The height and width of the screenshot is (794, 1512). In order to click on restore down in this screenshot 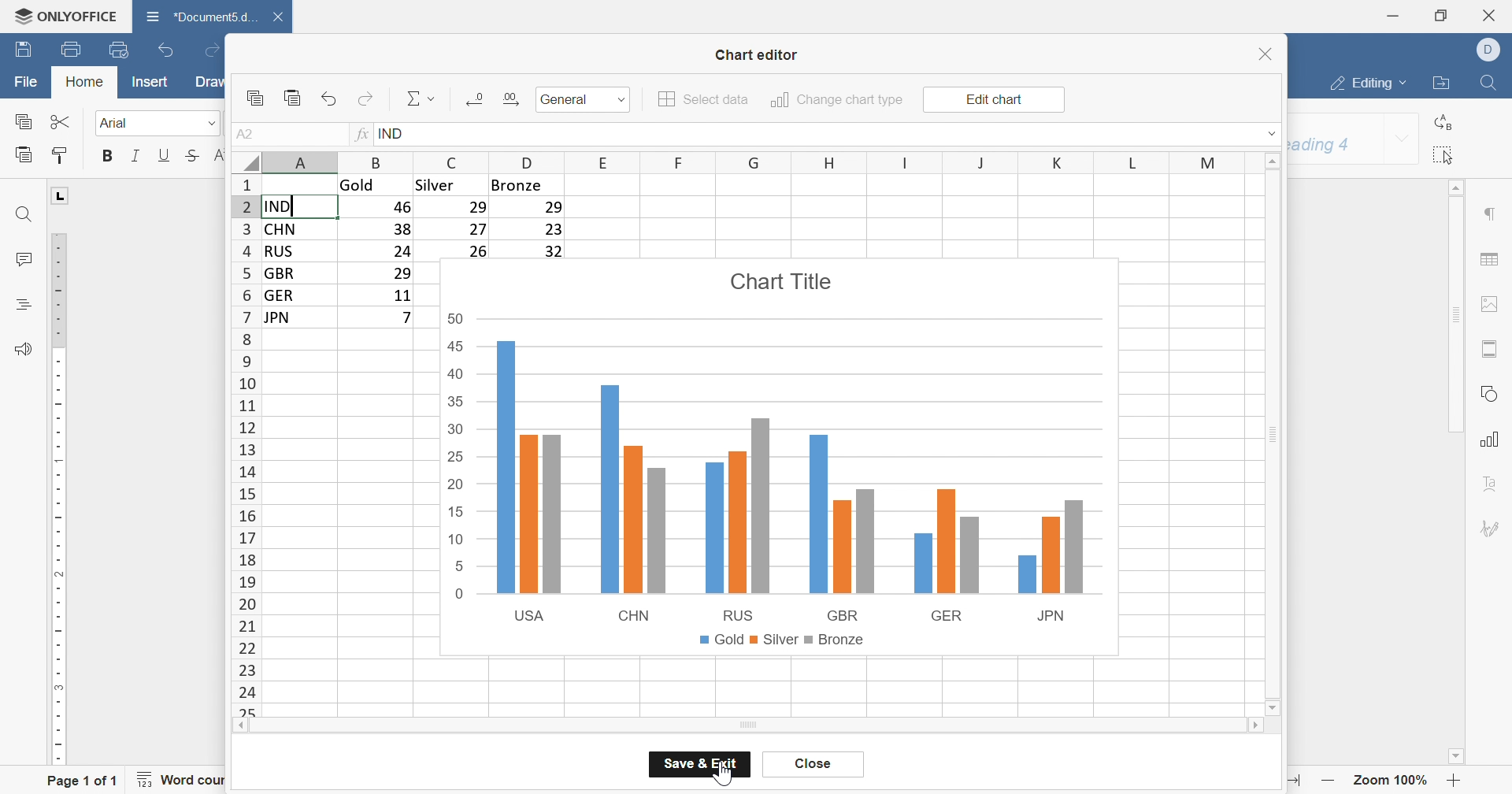, I will do `click(1440, 17)`.